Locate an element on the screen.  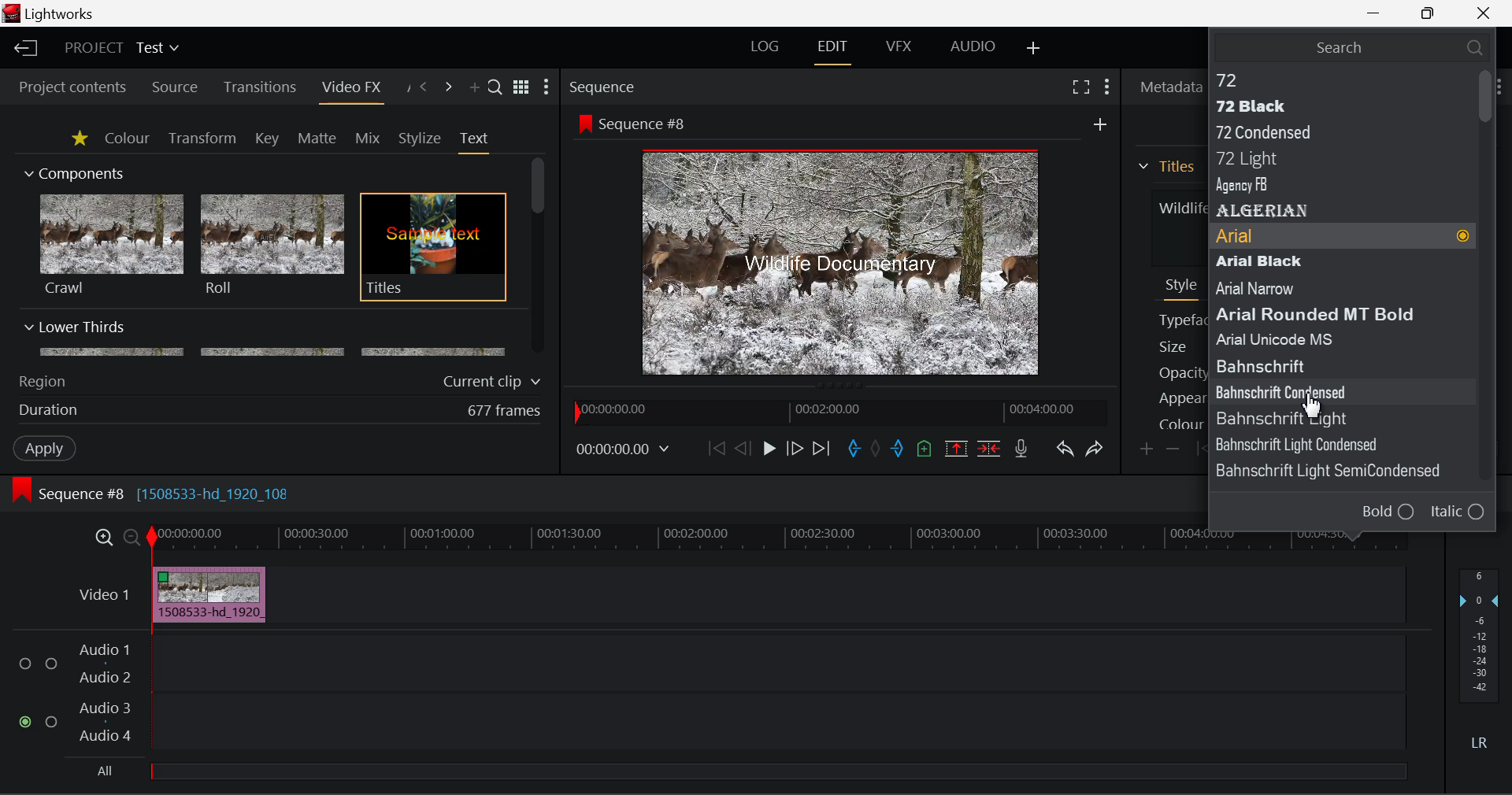
To End is located at coordinates (822, 451).